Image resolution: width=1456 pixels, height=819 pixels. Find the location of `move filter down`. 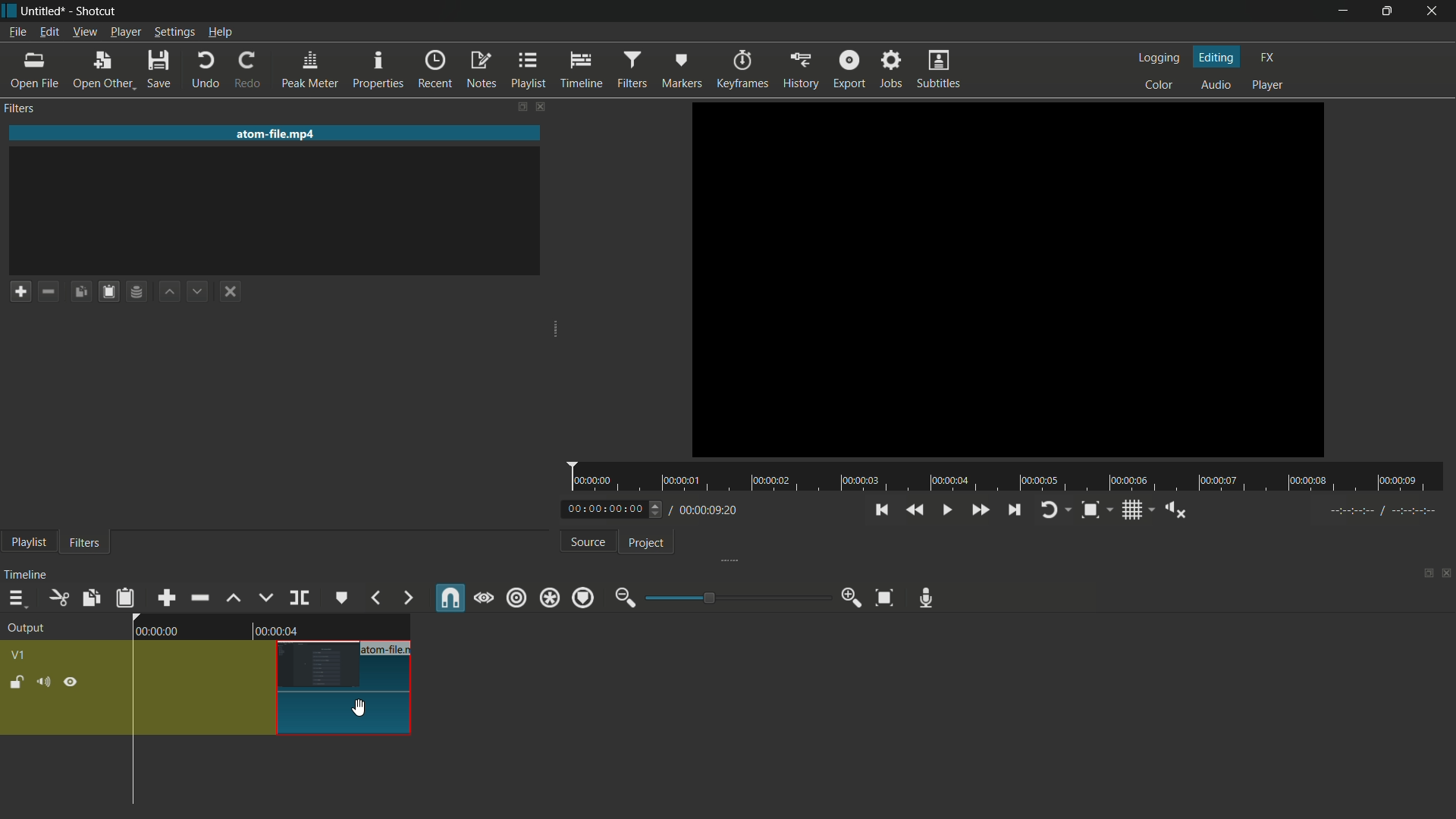

move filter down is located at coordinates (198, 293).